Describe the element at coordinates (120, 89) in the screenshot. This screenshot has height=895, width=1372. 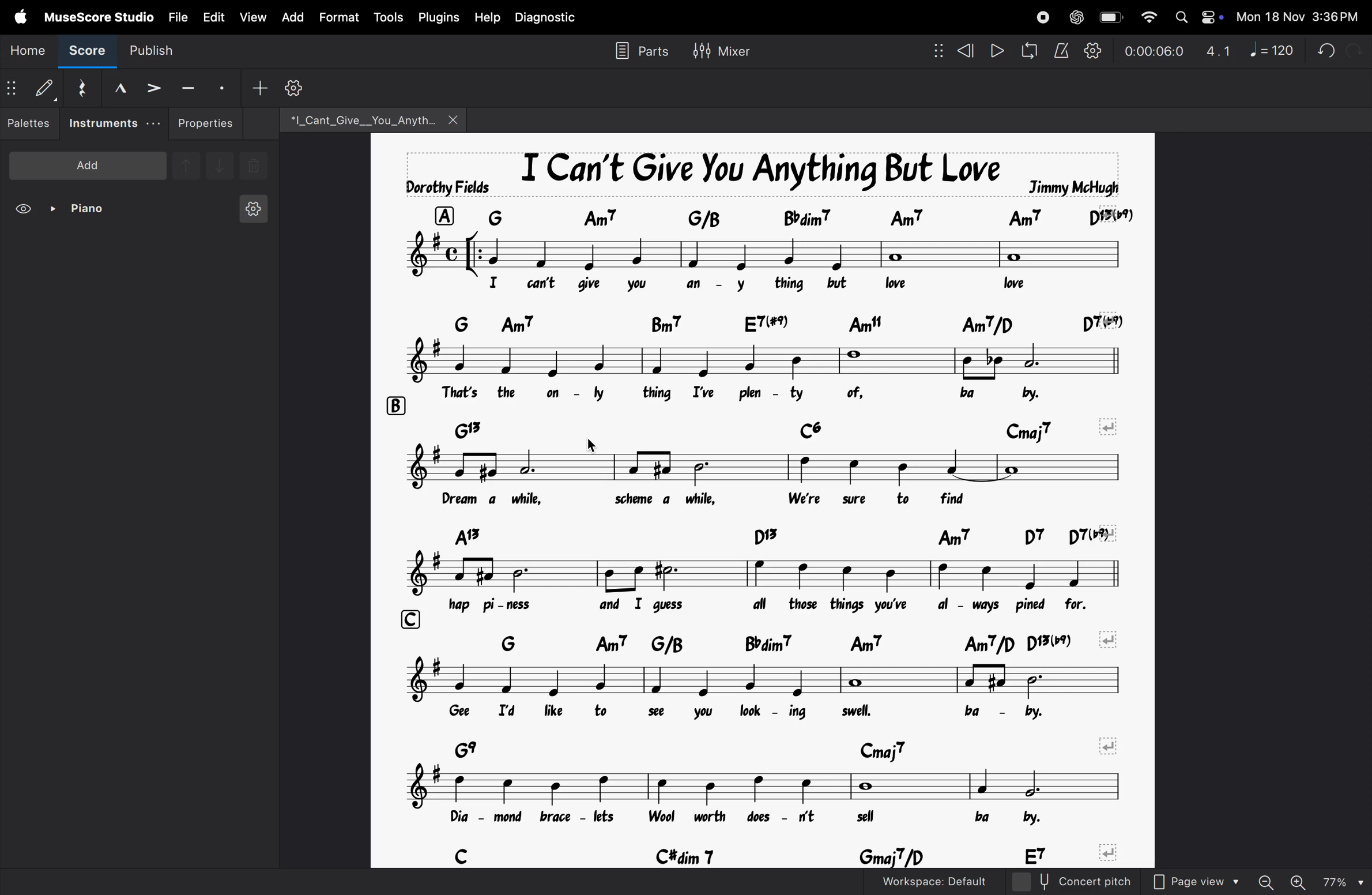
I see `marcato` at that location.